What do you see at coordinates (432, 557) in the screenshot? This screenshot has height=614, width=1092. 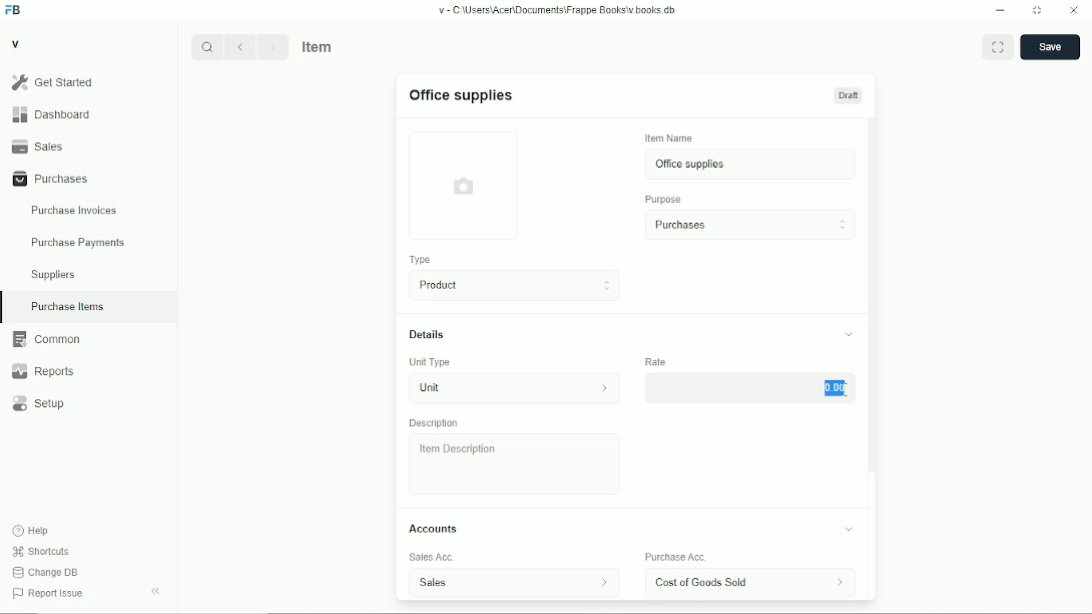 I see `sales acc.` at bounding box center [432, 557].